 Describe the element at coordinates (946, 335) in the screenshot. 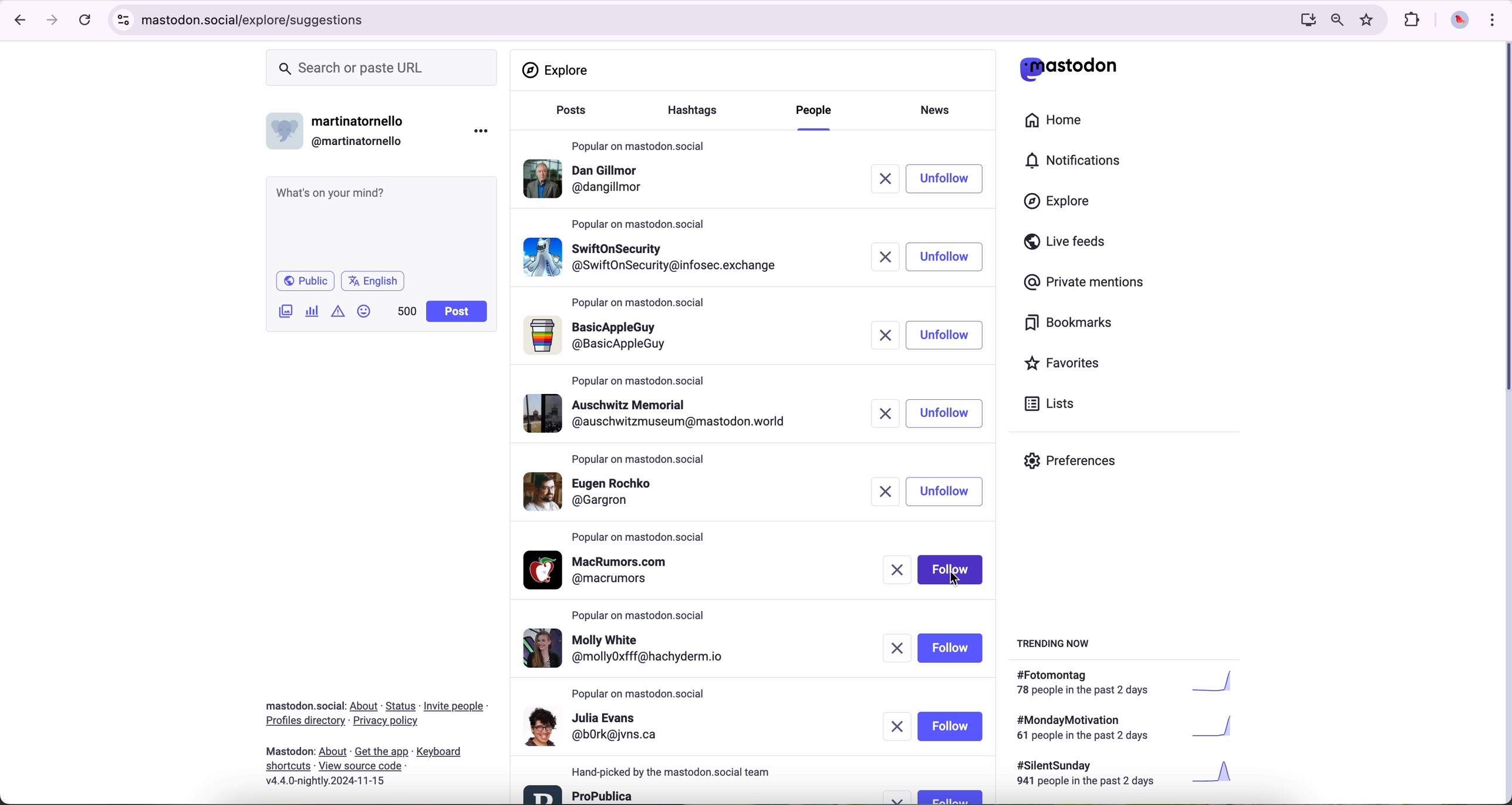

I see `unfollow` at that location.